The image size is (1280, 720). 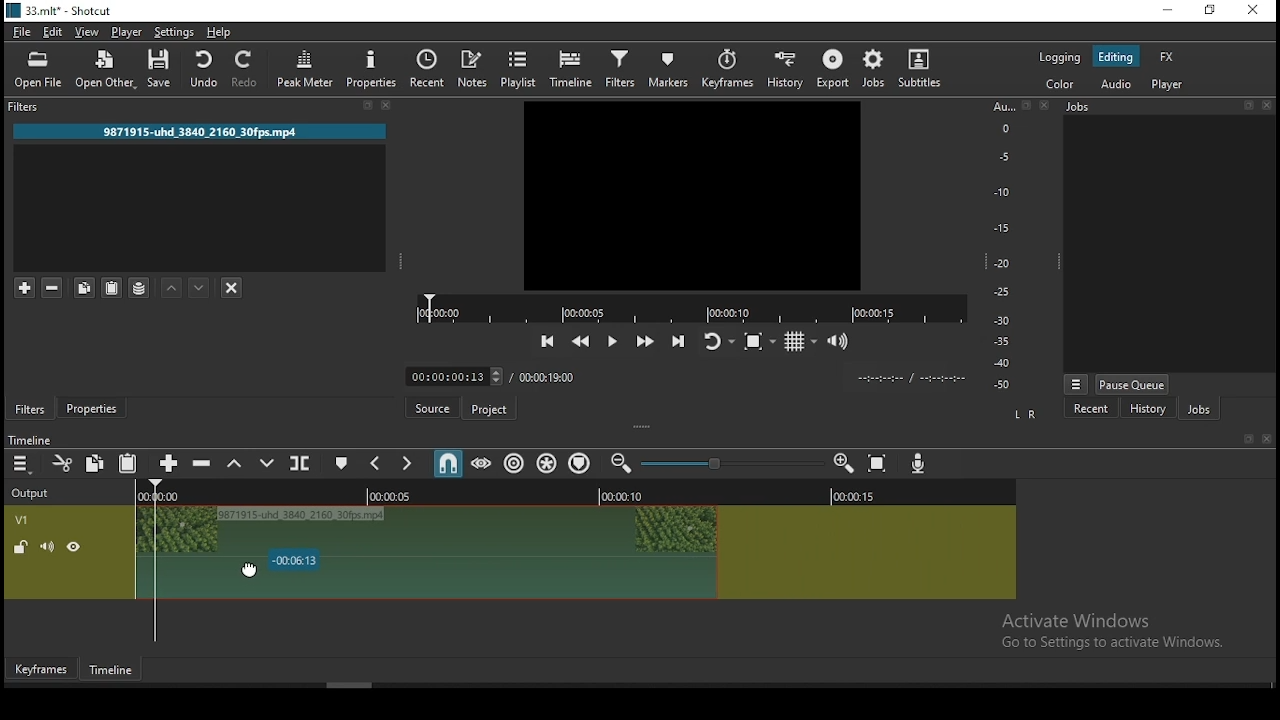 I want to click on Jobs, so click(x=1085, y=106).